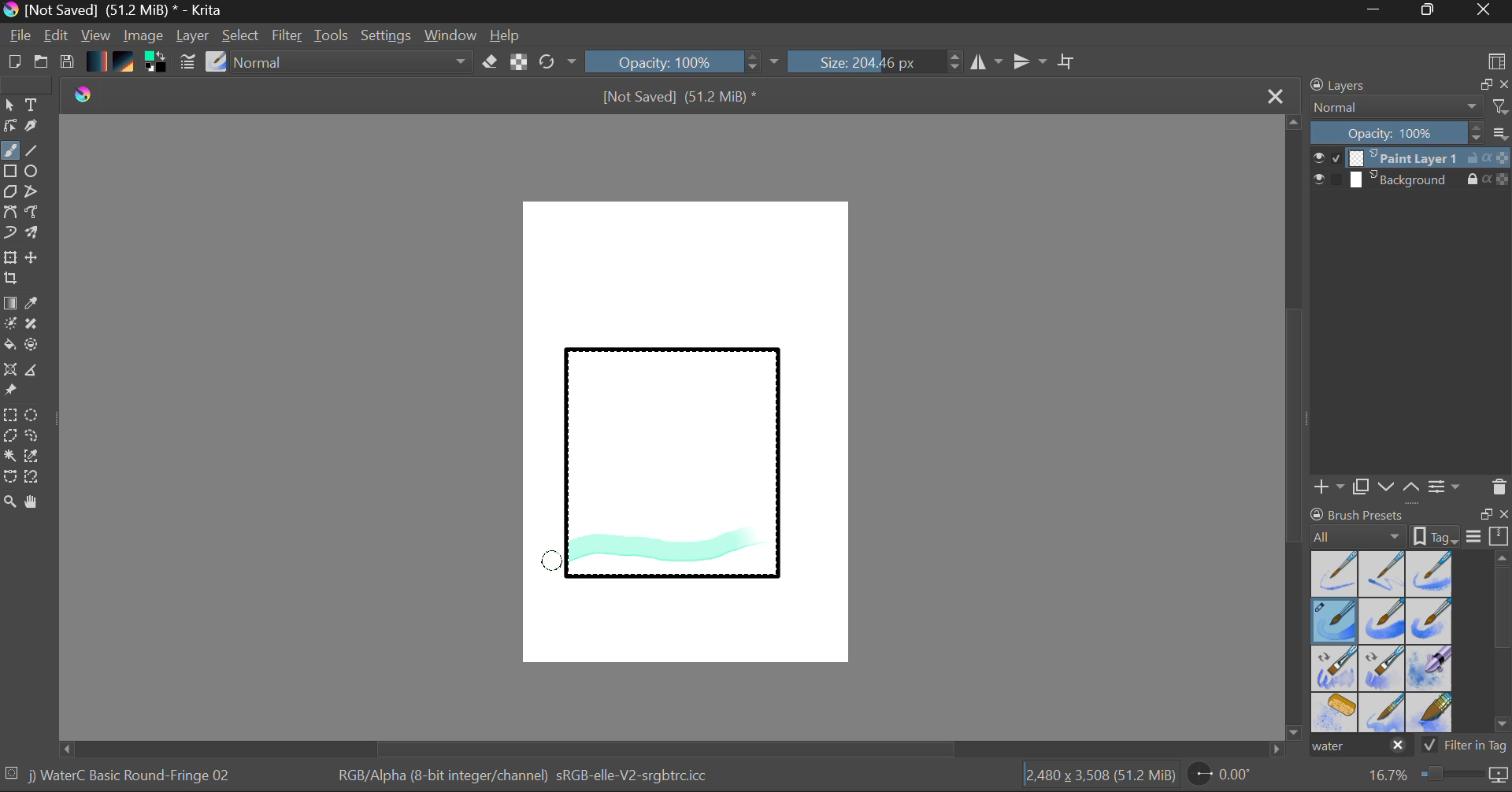  Describe the element at coordinates (37, 505) in the screenshot. I see `Pan` at that location.